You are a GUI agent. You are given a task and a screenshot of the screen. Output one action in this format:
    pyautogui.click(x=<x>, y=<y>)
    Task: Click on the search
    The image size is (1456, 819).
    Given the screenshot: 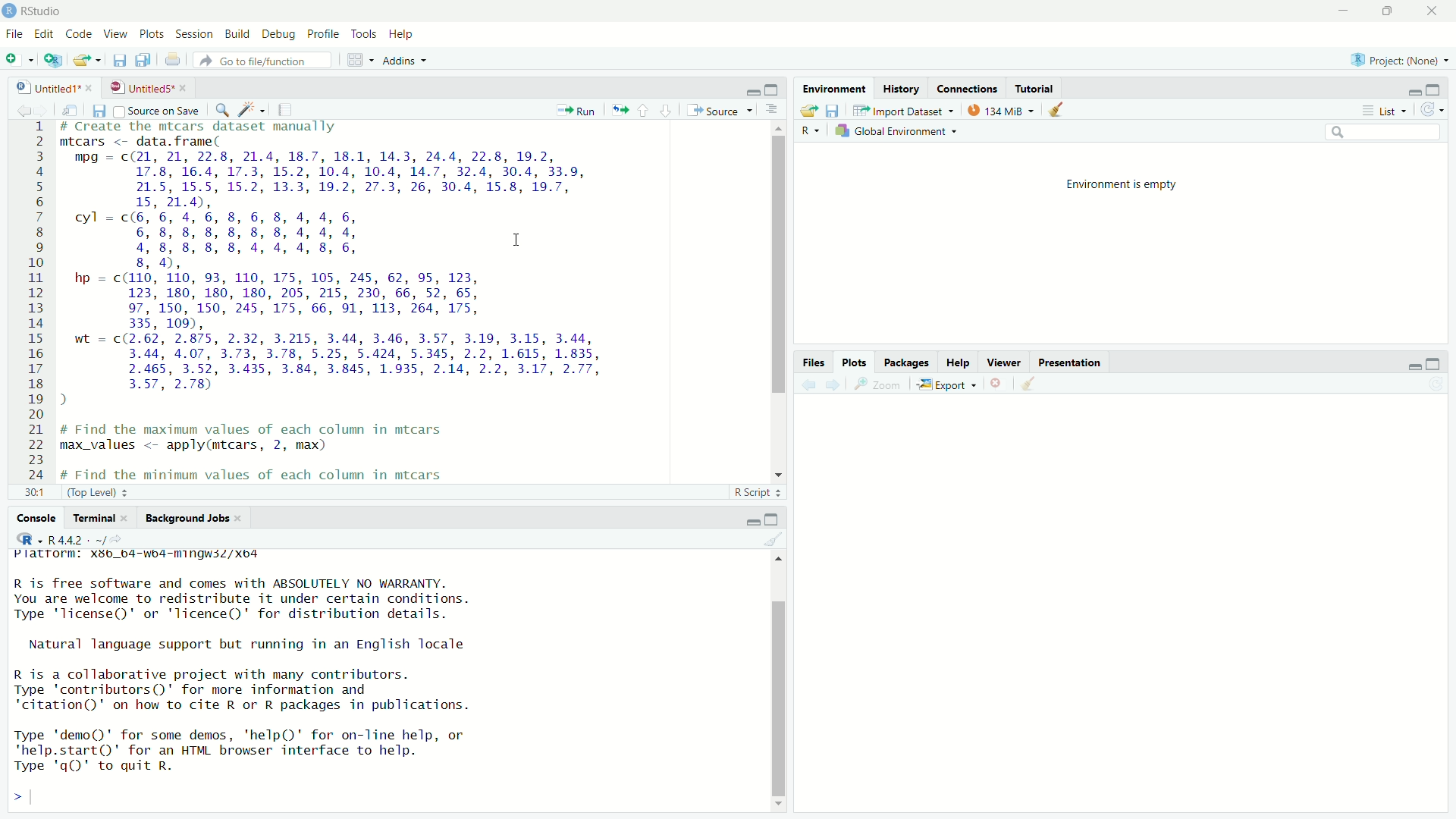 What is the action you would take?
    pyautogui.click(x=1386, y=132)
    